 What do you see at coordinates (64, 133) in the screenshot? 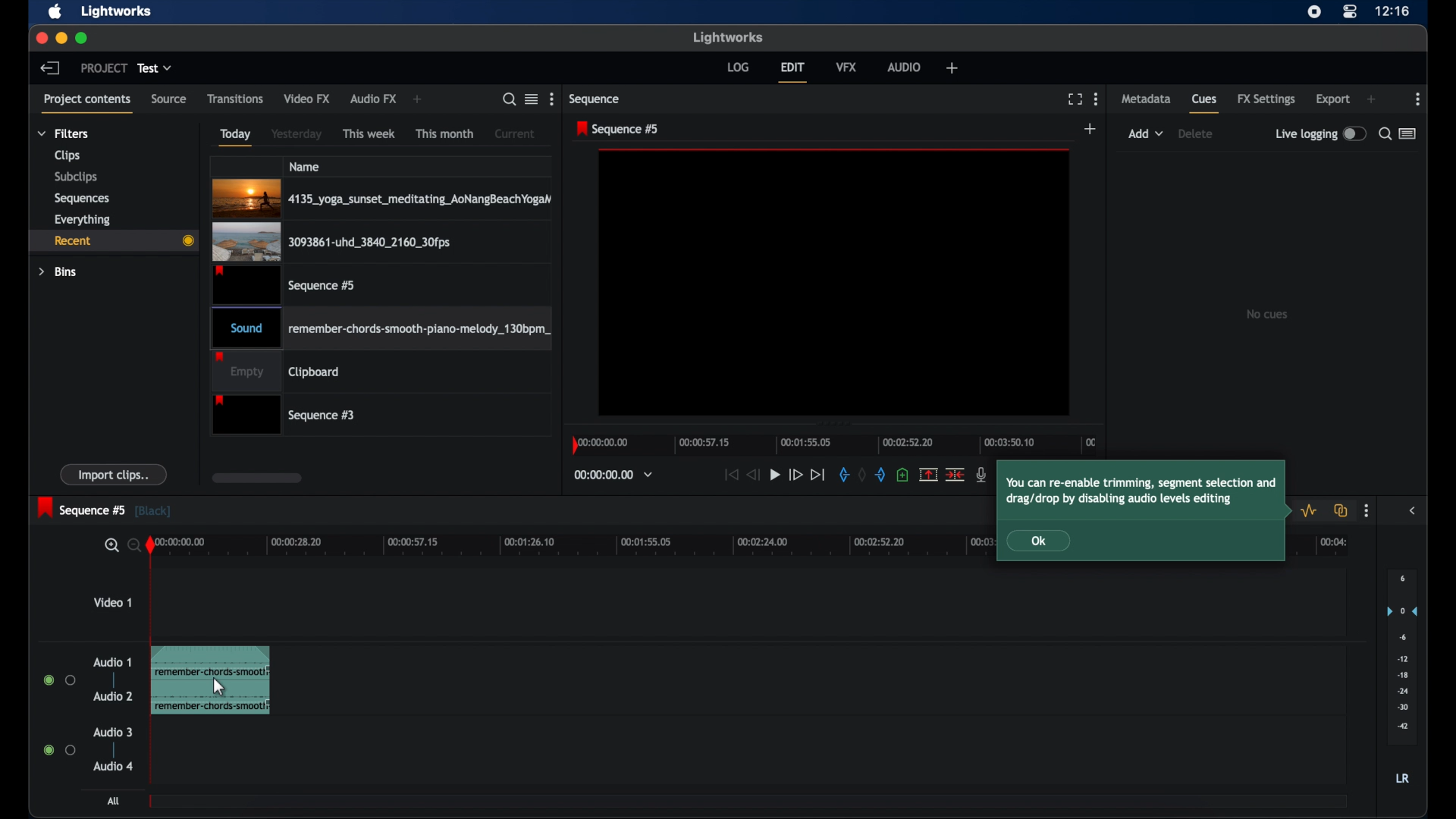
I see `filters` at bounding box center [64, 133].